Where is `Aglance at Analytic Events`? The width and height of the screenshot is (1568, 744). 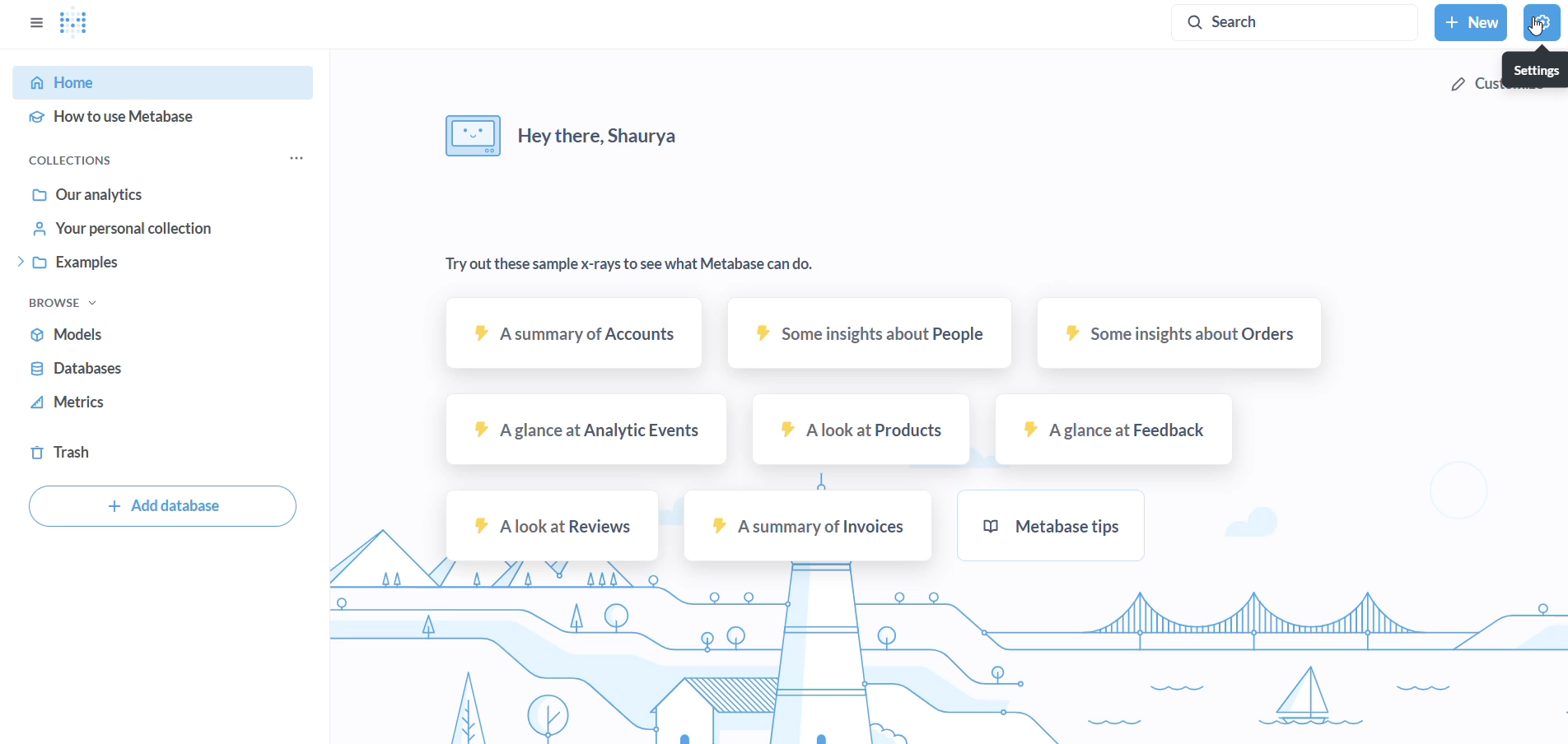
Aglance at Analytic Events is located at coordinates (588, 430).